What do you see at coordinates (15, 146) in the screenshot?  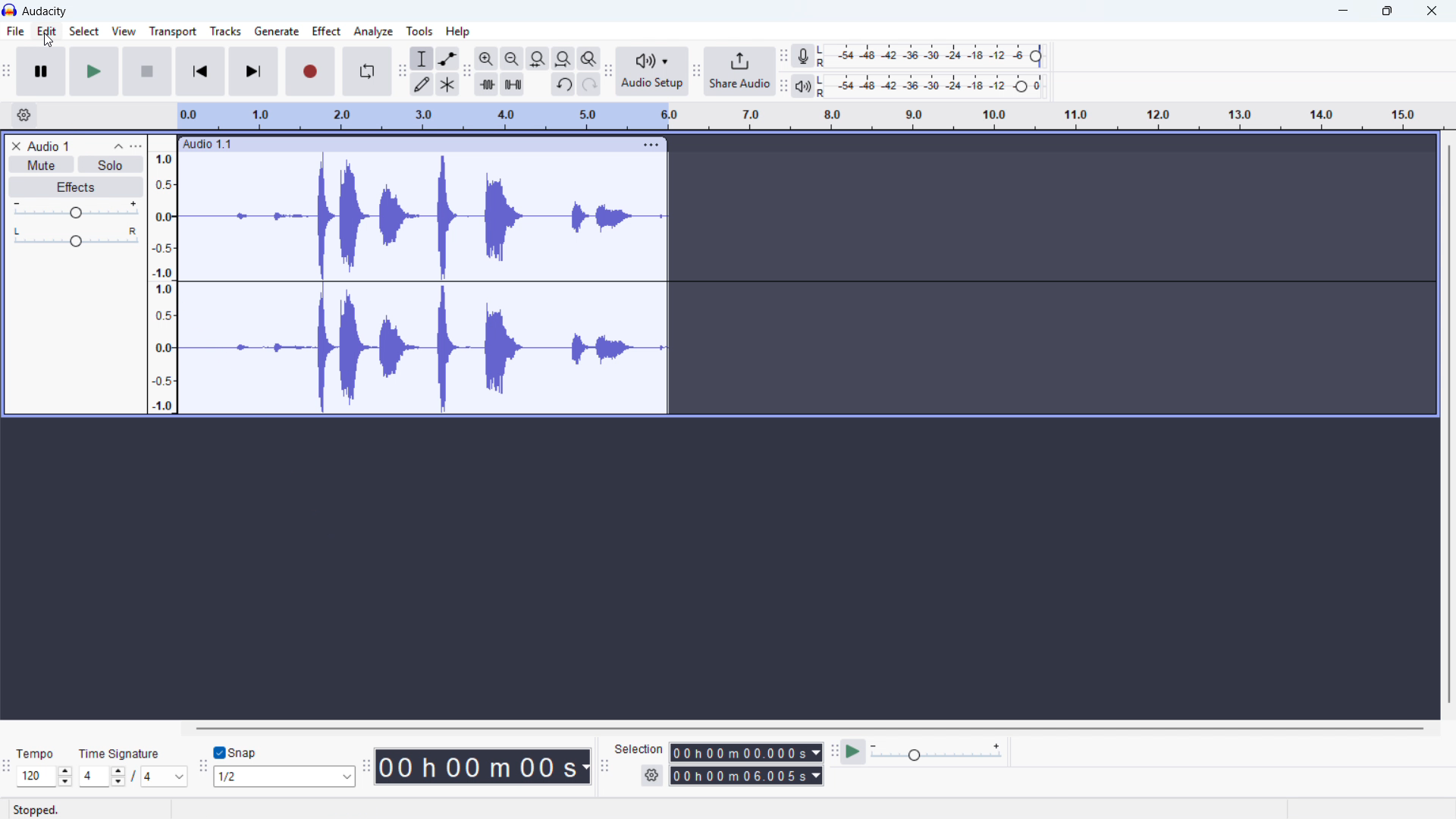 I see `remove track` at bounding box center [15, 146].